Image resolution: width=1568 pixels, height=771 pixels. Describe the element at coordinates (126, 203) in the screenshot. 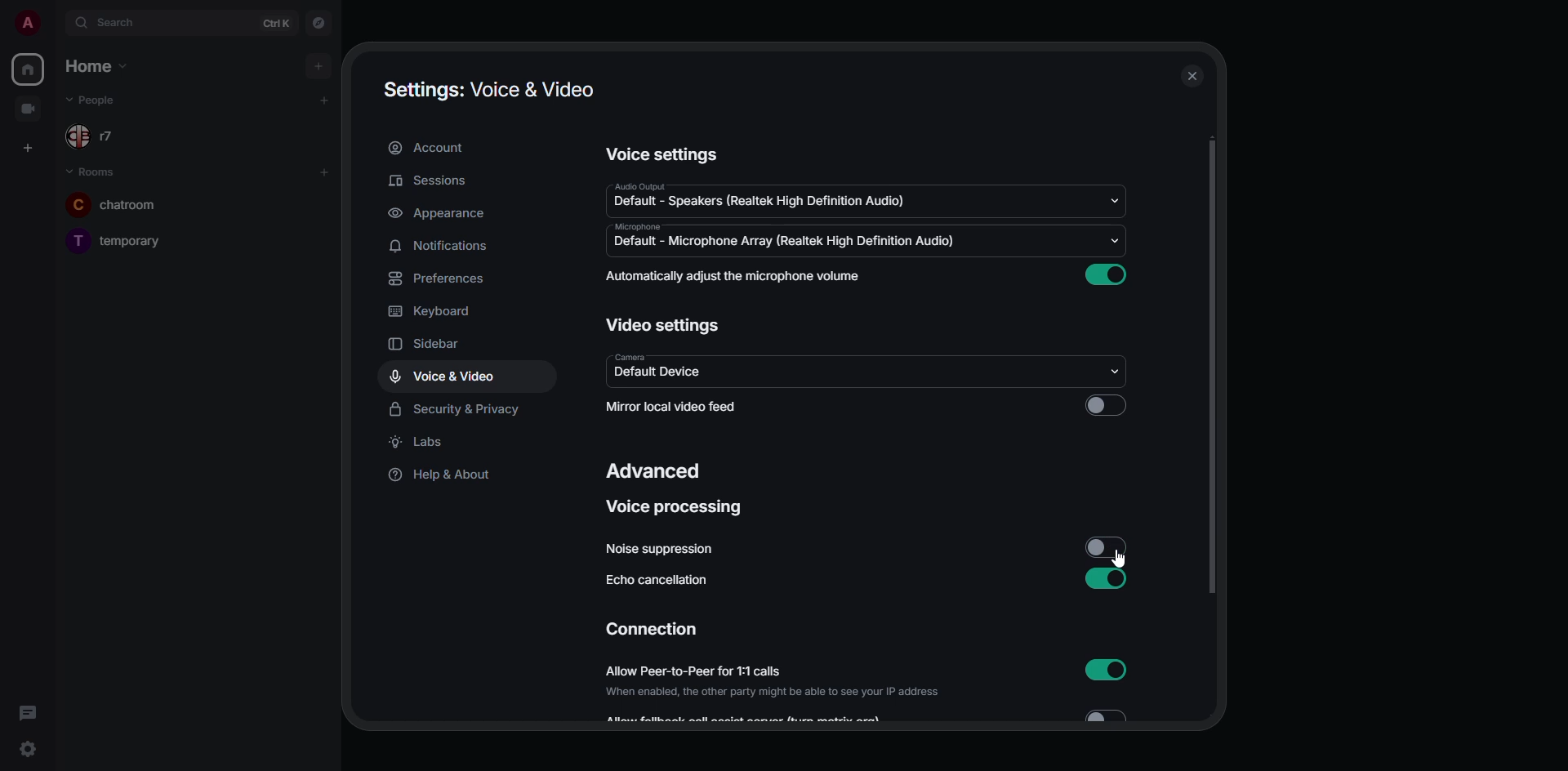

I see `chatroom` at that location.